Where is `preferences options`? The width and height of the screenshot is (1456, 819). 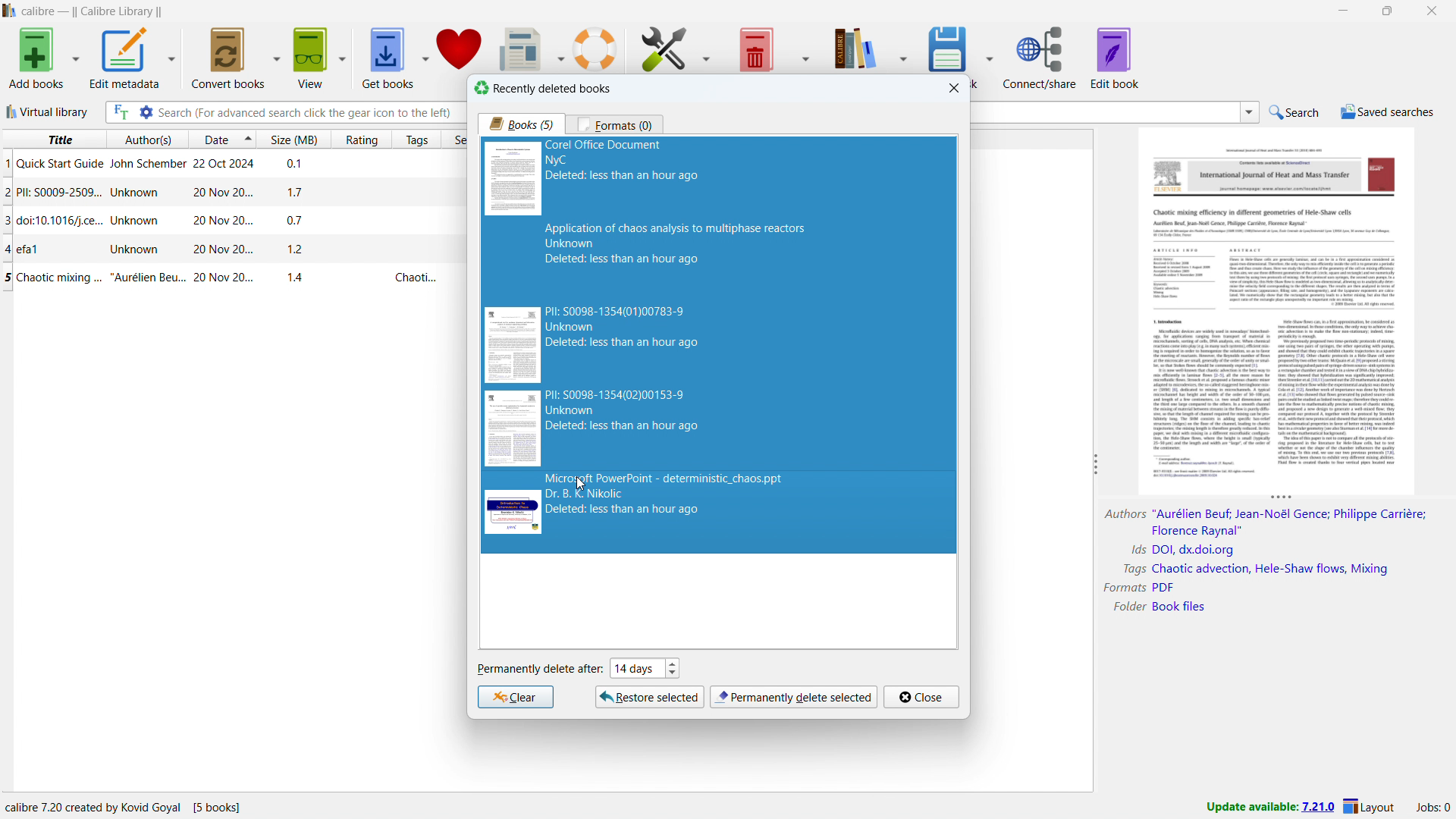
preferences options is located at coordinates (710, 47).